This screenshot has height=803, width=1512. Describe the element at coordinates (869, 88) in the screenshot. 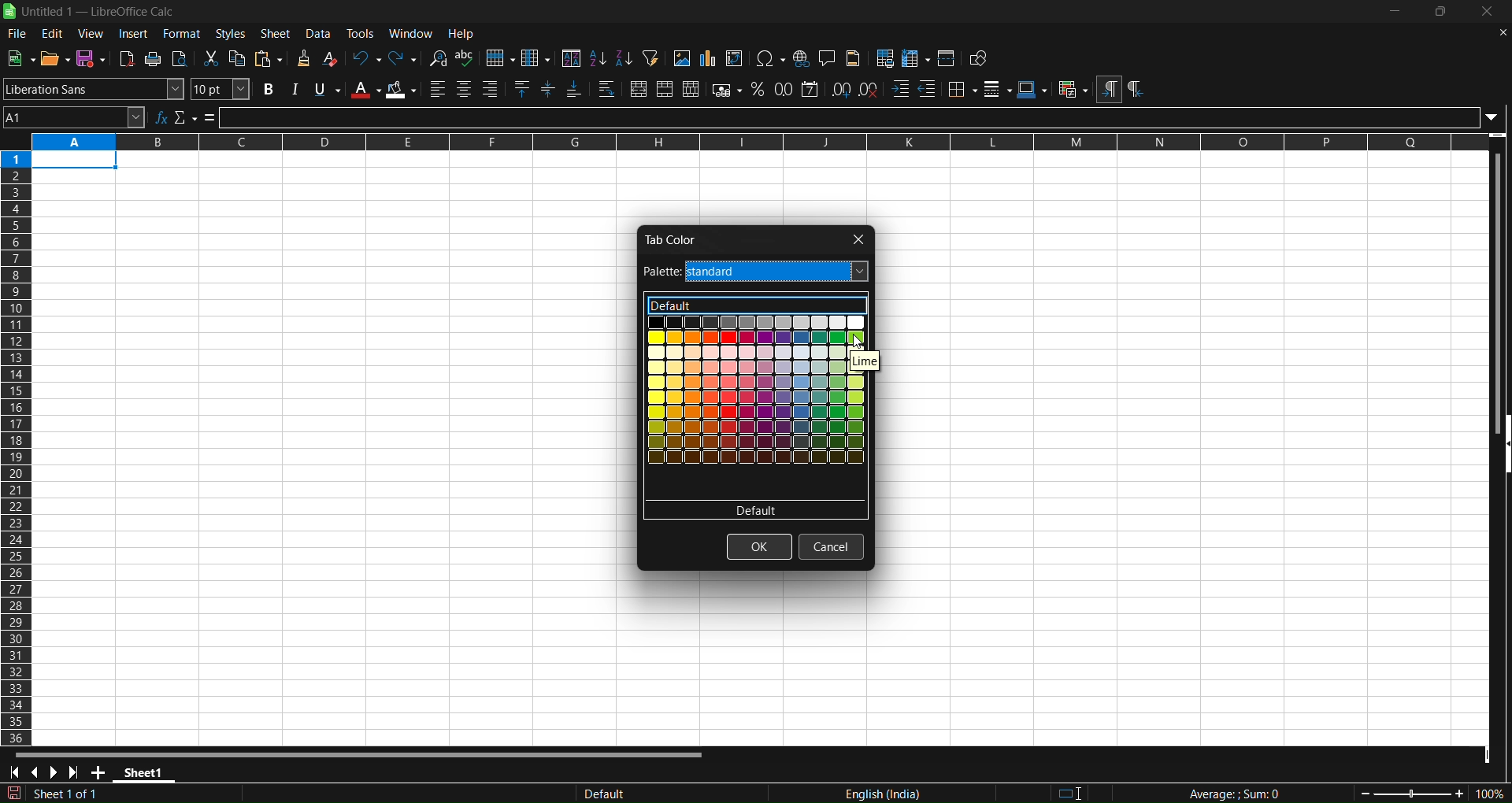

I see `remove decimal place` at that location.